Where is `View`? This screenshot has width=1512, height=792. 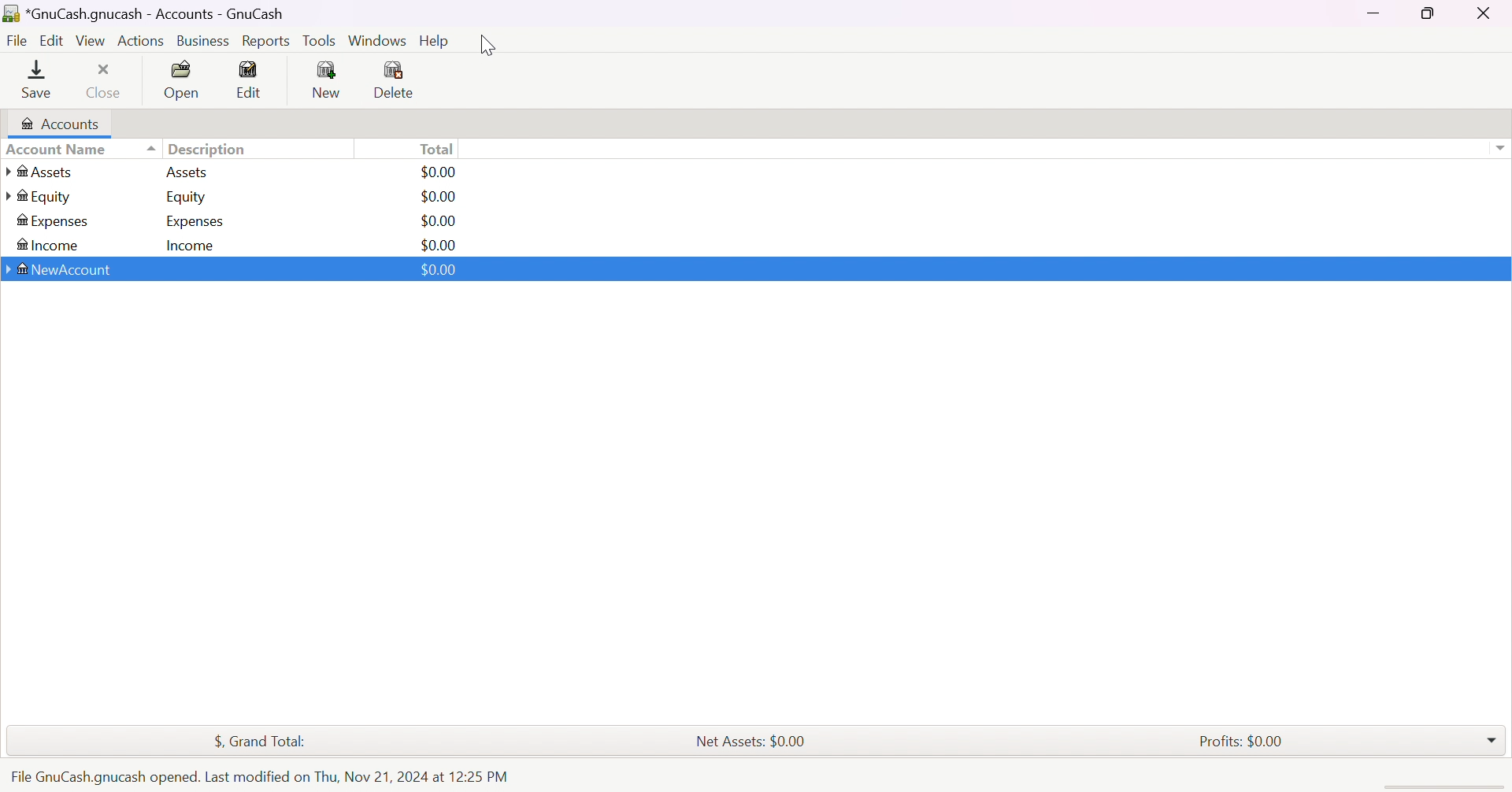 View is located at coordinates (91, 41).